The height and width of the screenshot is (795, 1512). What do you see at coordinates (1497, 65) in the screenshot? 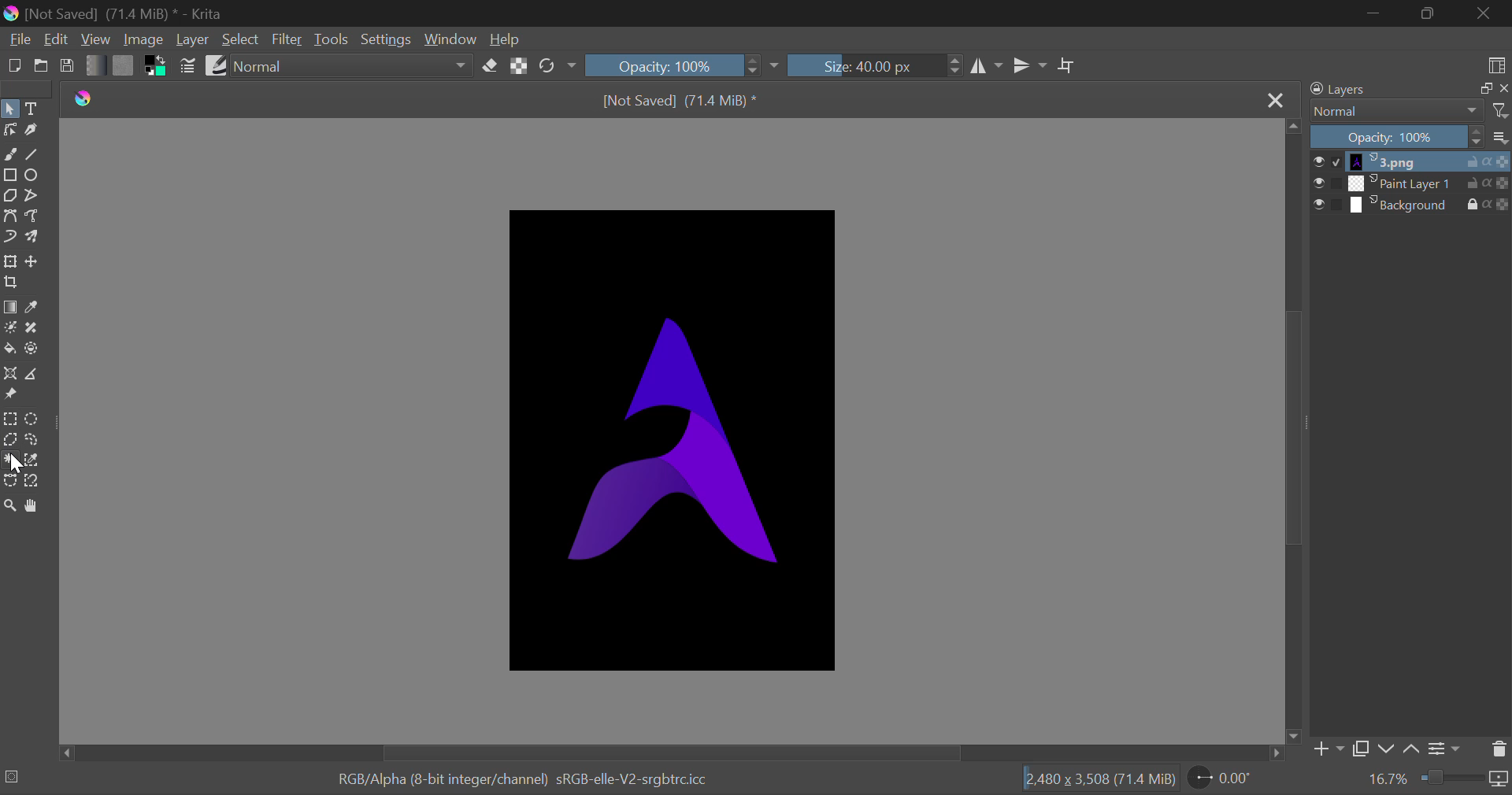
I see `Choose Workspace` at bounding box center [1497, 65].